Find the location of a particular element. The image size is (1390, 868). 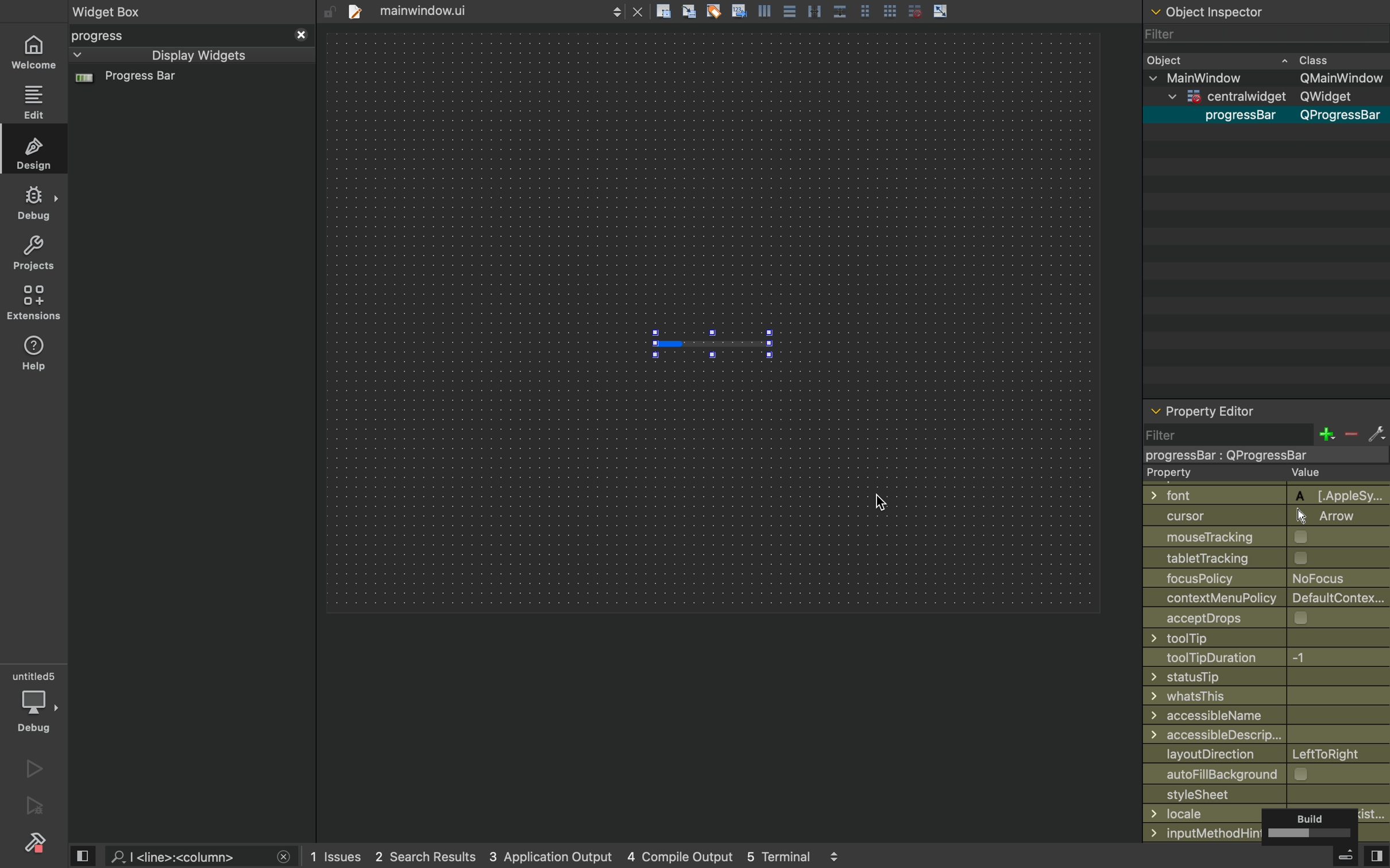

filter is located at coordinates (1265, 434).